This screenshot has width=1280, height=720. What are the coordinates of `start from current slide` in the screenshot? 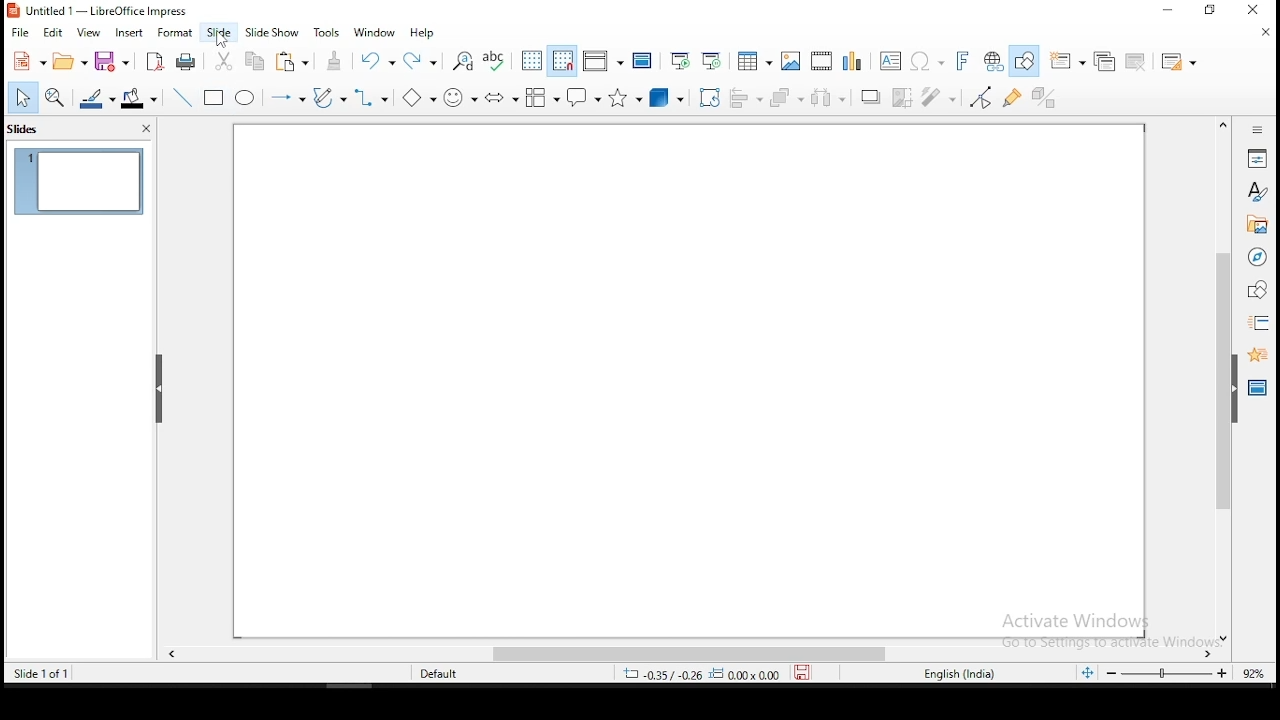 It's located at (712, 58).